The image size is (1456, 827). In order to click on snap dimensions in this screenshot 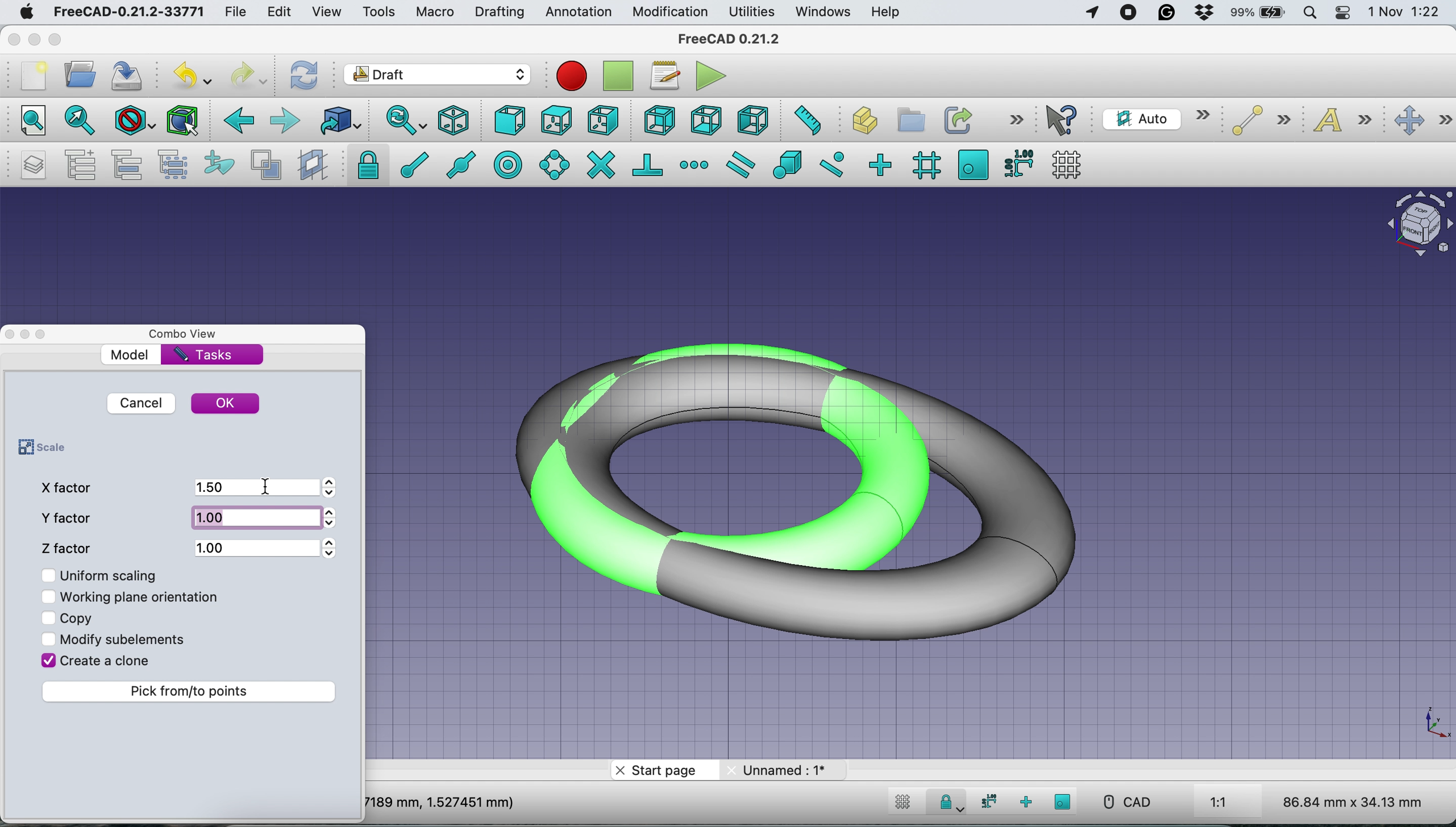, I will do `click(1017, 163)`.